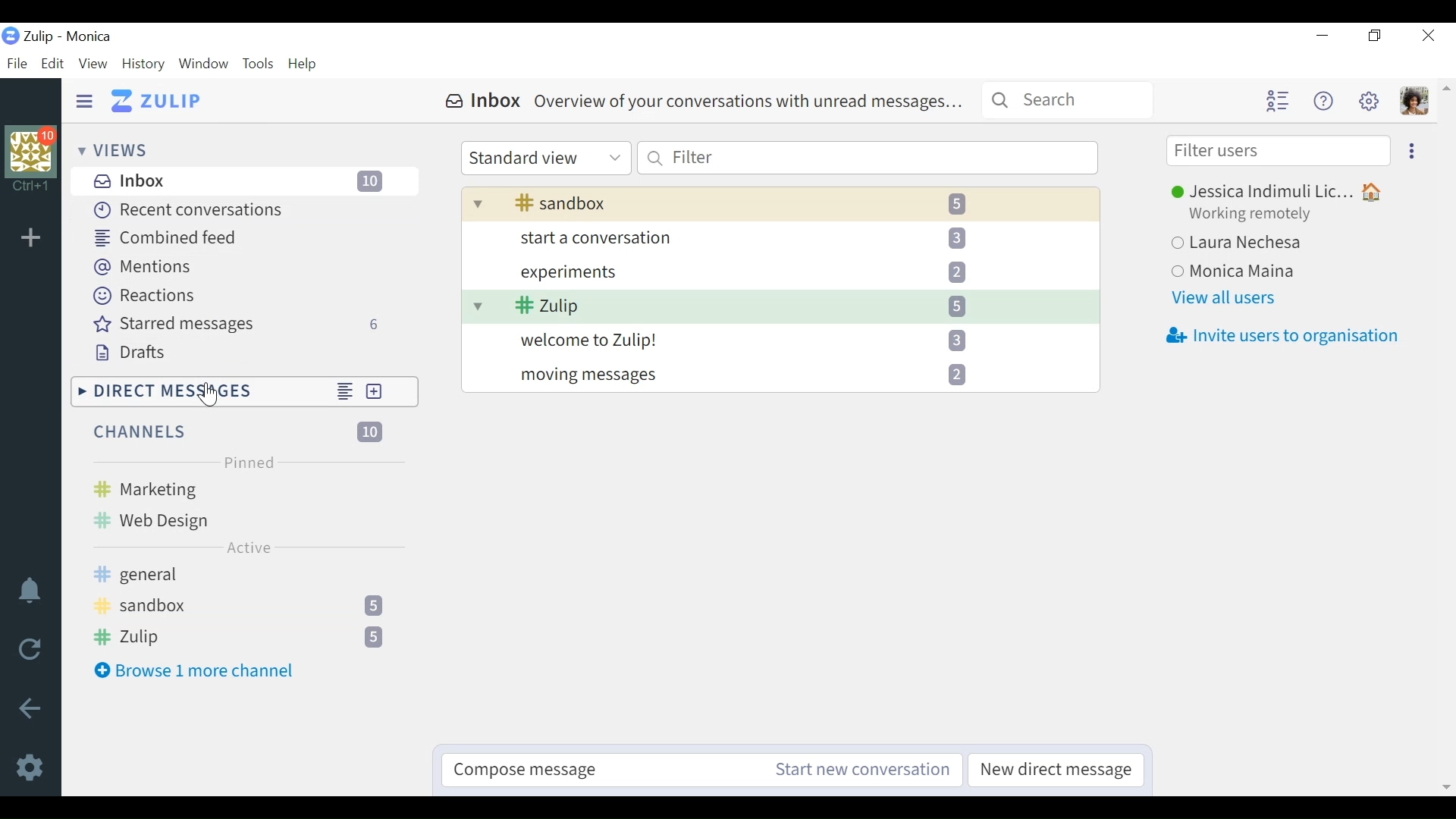 The height and width of the screenshot is (819, 1456). What do you see at coordinates (110, 149) in the screenshot?
I see `Views` at bounding box center [110, 149].